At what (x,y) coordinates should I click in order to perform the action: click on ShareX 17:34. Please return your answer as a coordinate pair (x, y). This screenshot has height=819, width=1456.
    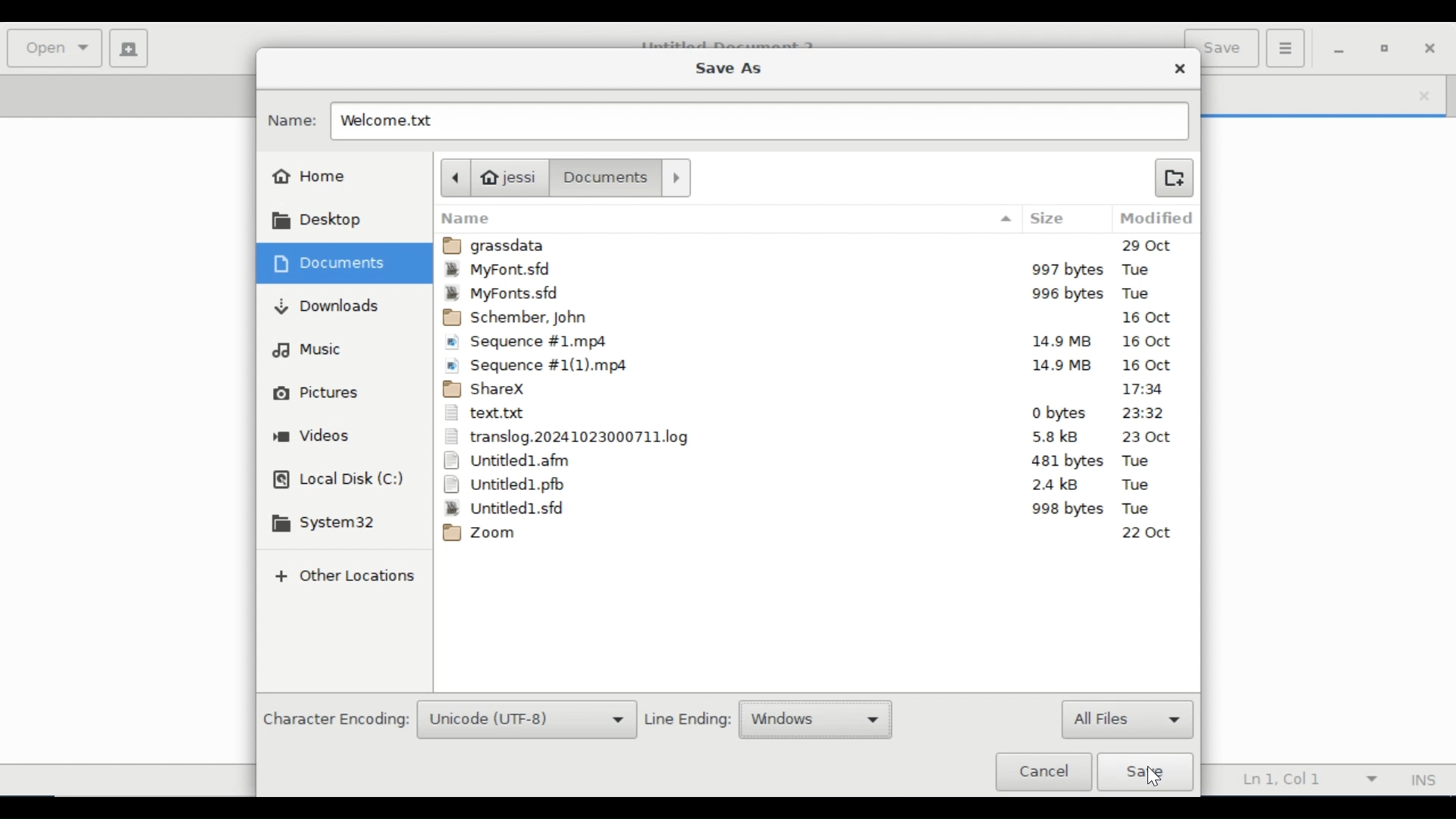
    Looking at the image, I should click on (813, 390).